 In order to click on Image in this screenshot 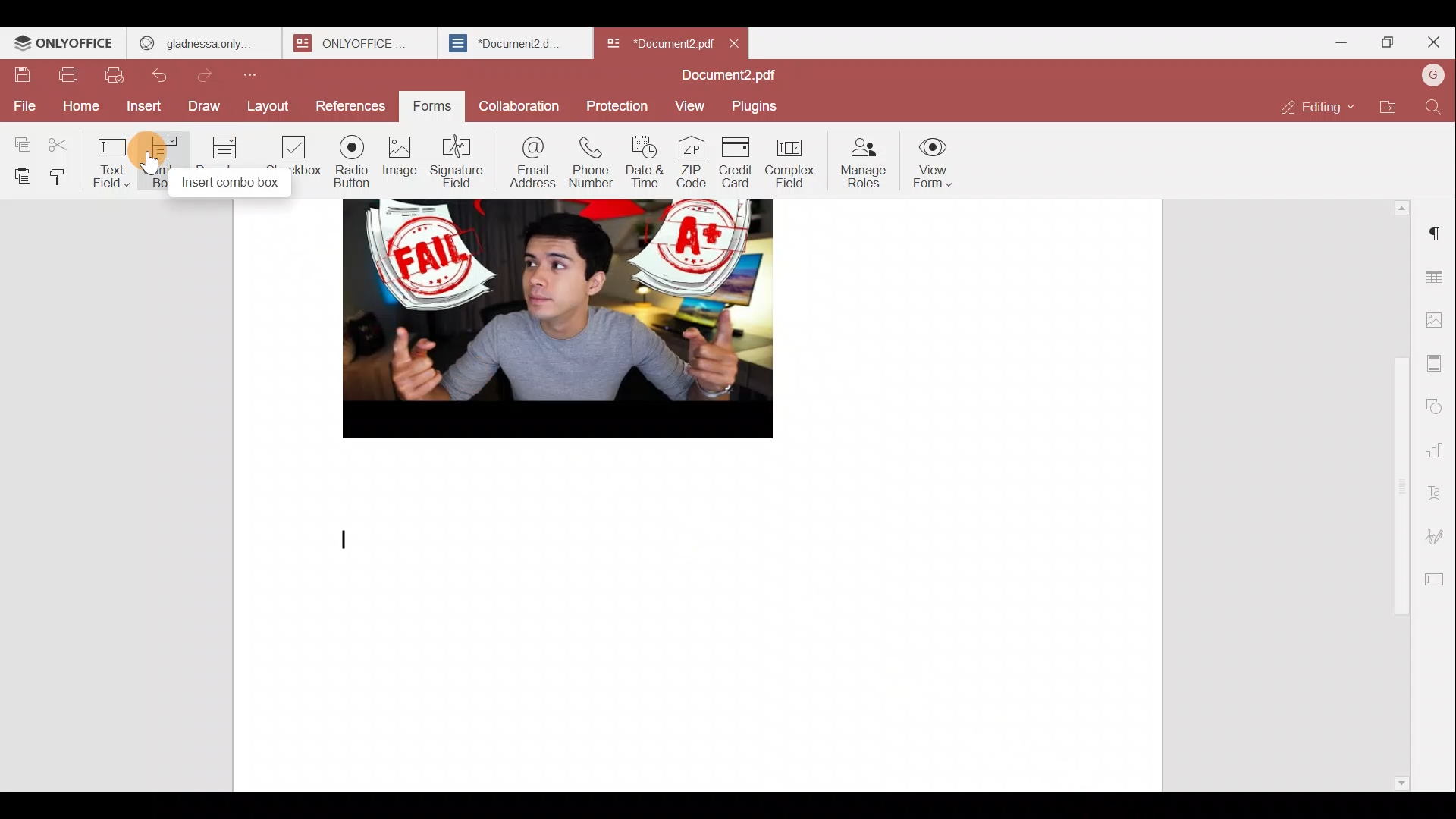, I will do `click(400, 159)`.